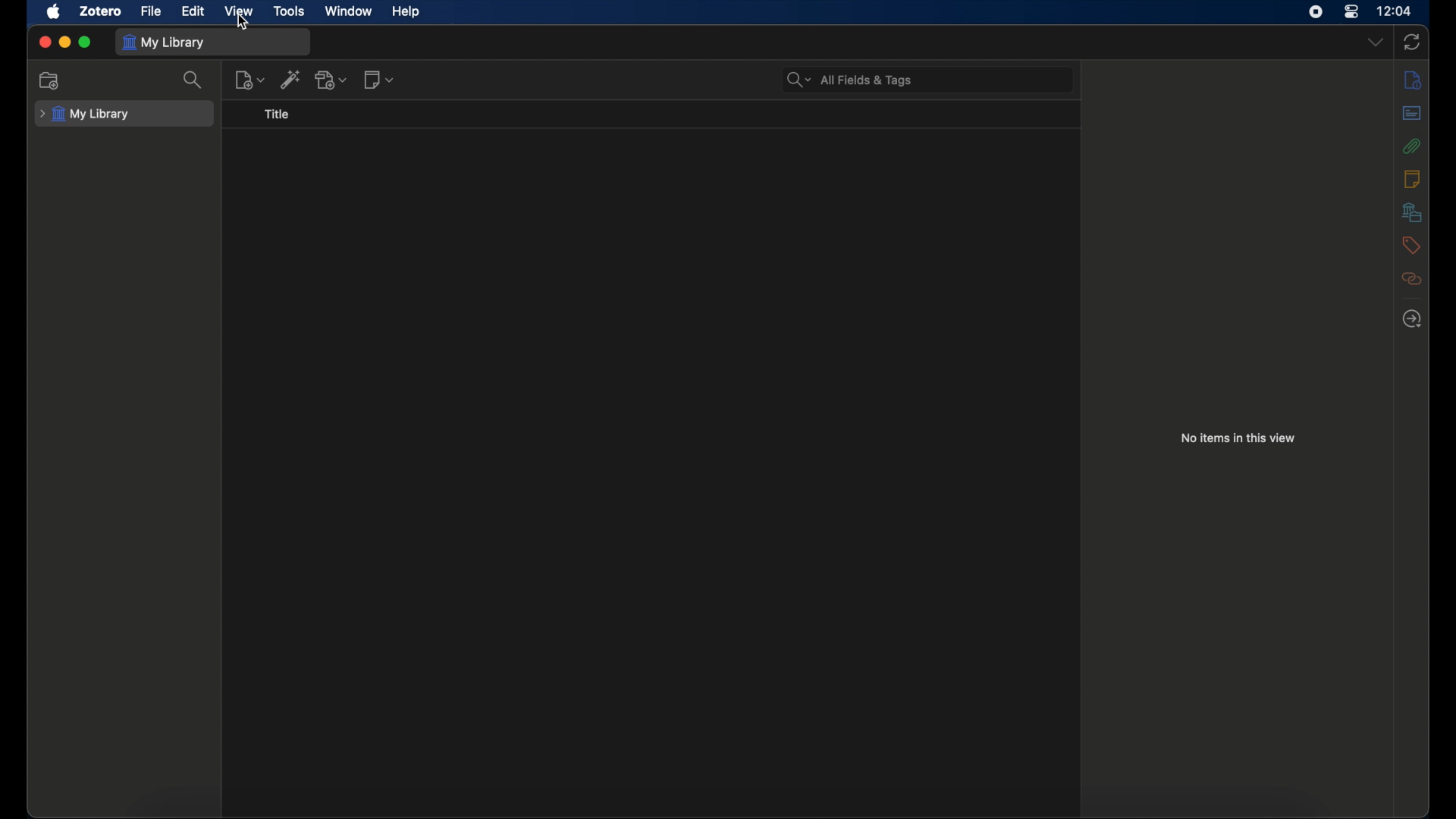 This screenshot has height=819, width=1456. I want to click on minimize, so click(64, 42).